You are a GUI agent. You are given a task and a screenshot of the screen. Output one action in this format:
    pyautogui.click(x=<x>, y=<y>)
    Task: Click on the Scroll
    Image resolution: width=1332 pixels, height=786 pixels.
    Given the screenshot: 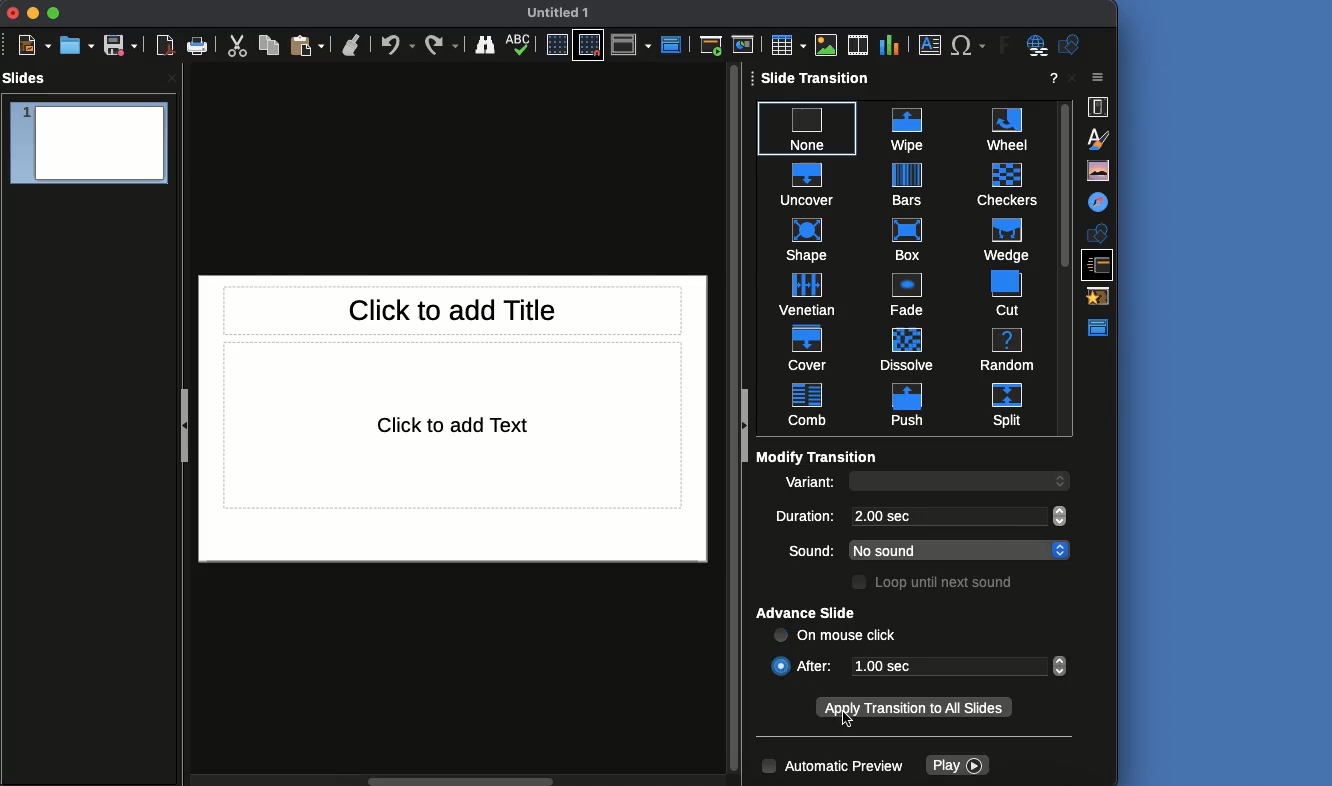 What is the action you would take?
    pyautogui.click(x=1065, y=265)
    